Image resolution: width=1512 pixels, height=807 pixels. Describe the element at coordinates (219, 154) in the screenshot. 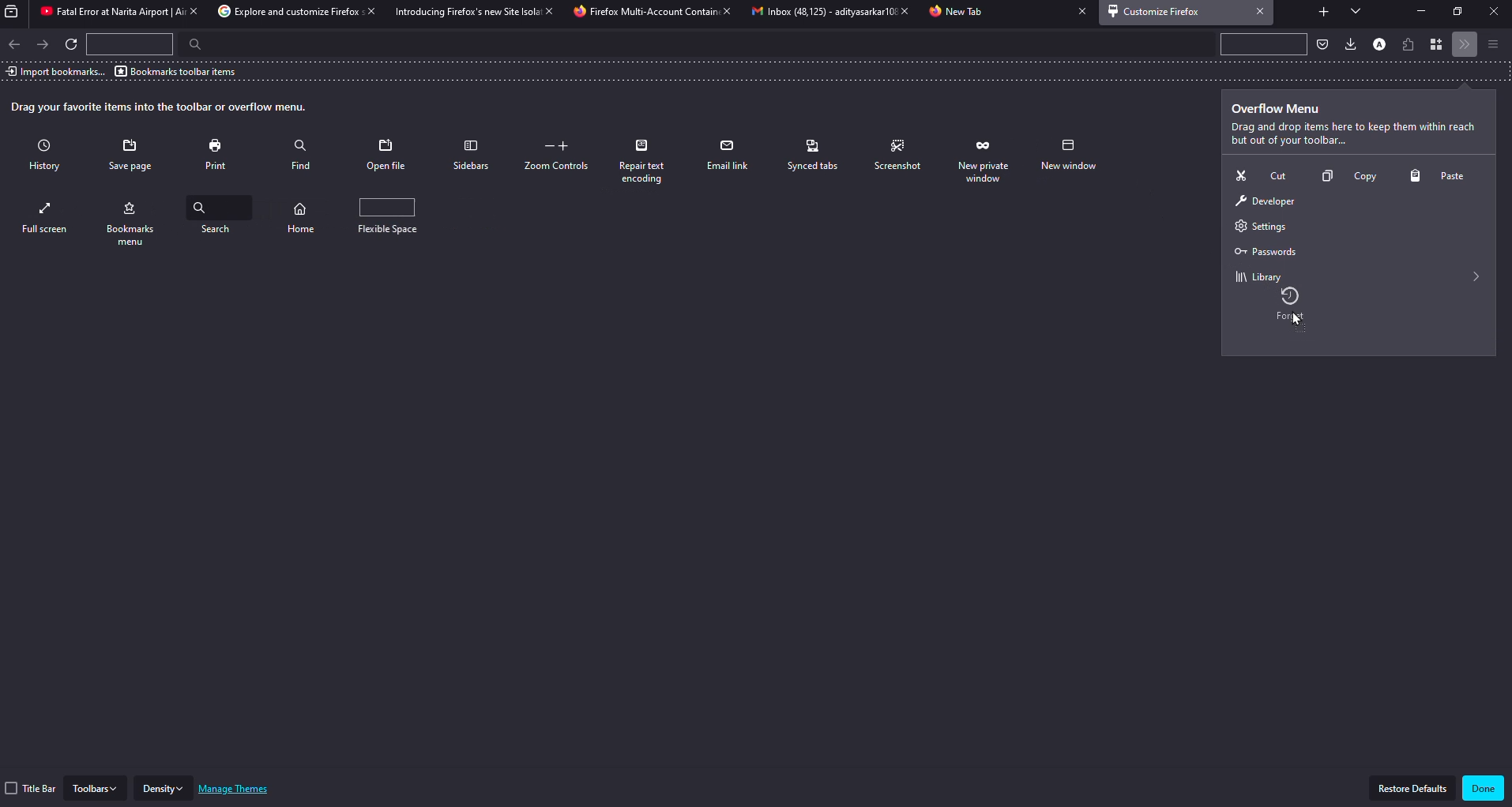

I see `print` at that location.